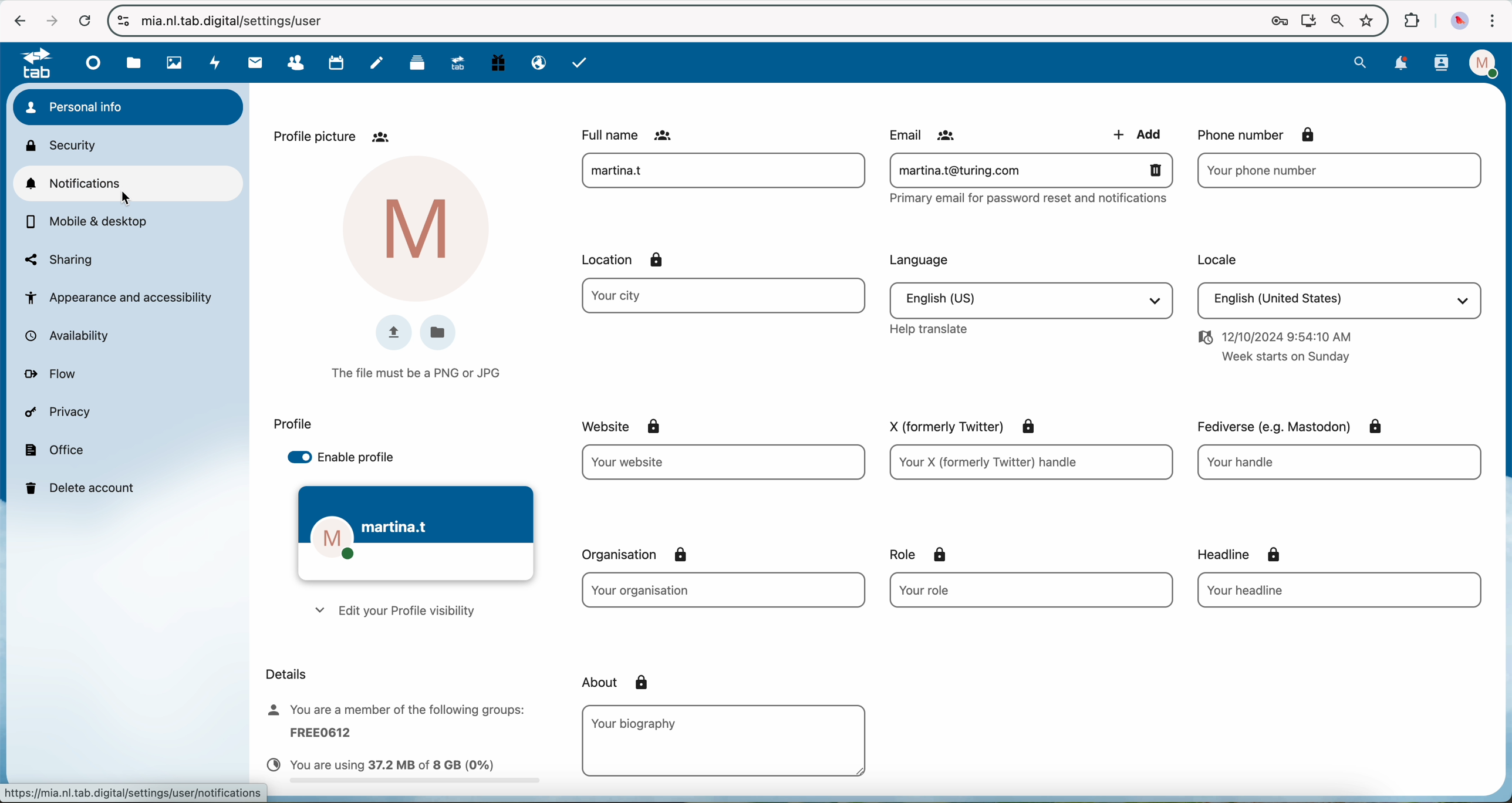  What do you see at coordinates (403, 766) in the screenshot?
I see `capacity` at bounding box center [403, 766].